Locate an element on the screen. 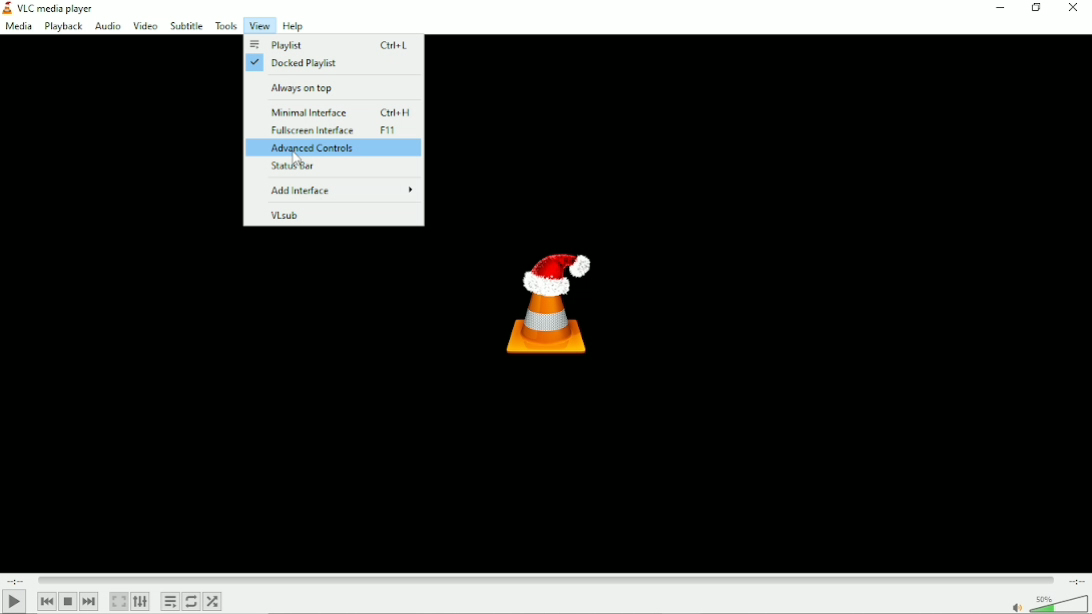 This screenshot has width=1092, height=614. Minimize is located at coordinates (999, 8).